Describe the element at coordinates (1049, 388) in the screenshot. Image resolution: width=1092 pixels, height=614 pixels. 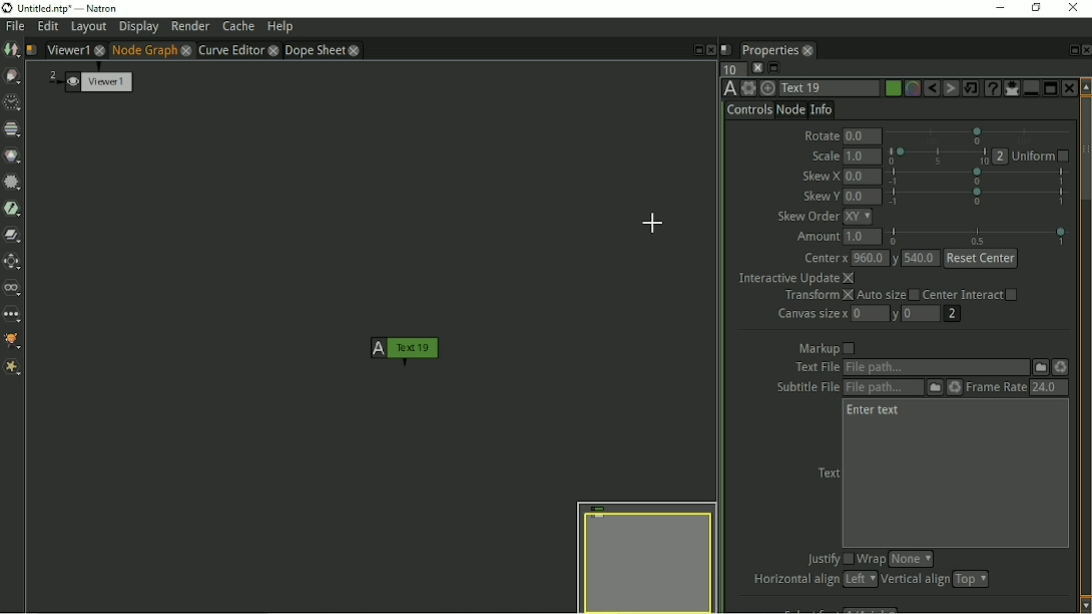
I see `24` at that location.